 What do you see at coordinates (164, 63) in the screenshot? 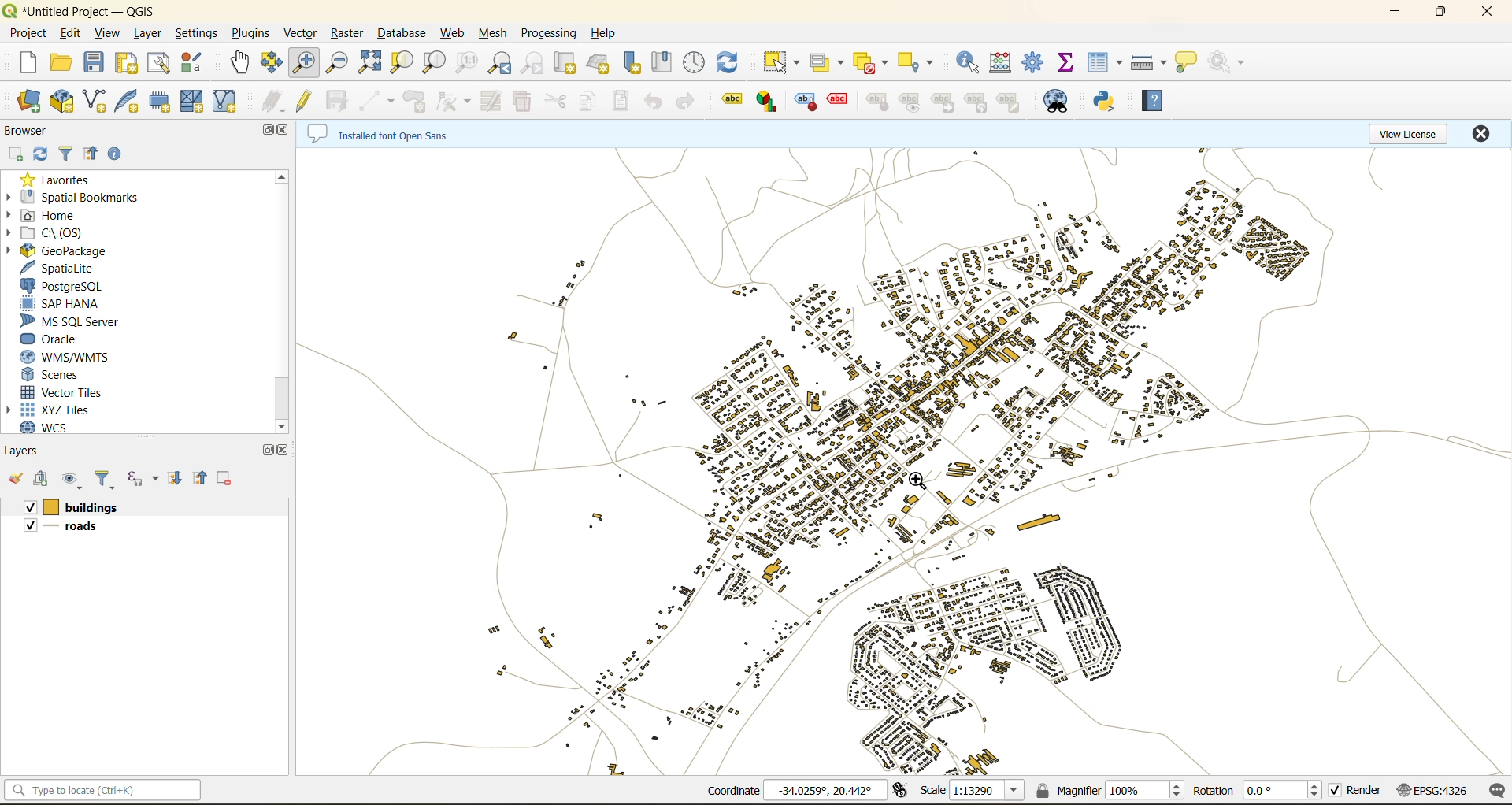
I see `show layout` at bounding box center [164, 63].